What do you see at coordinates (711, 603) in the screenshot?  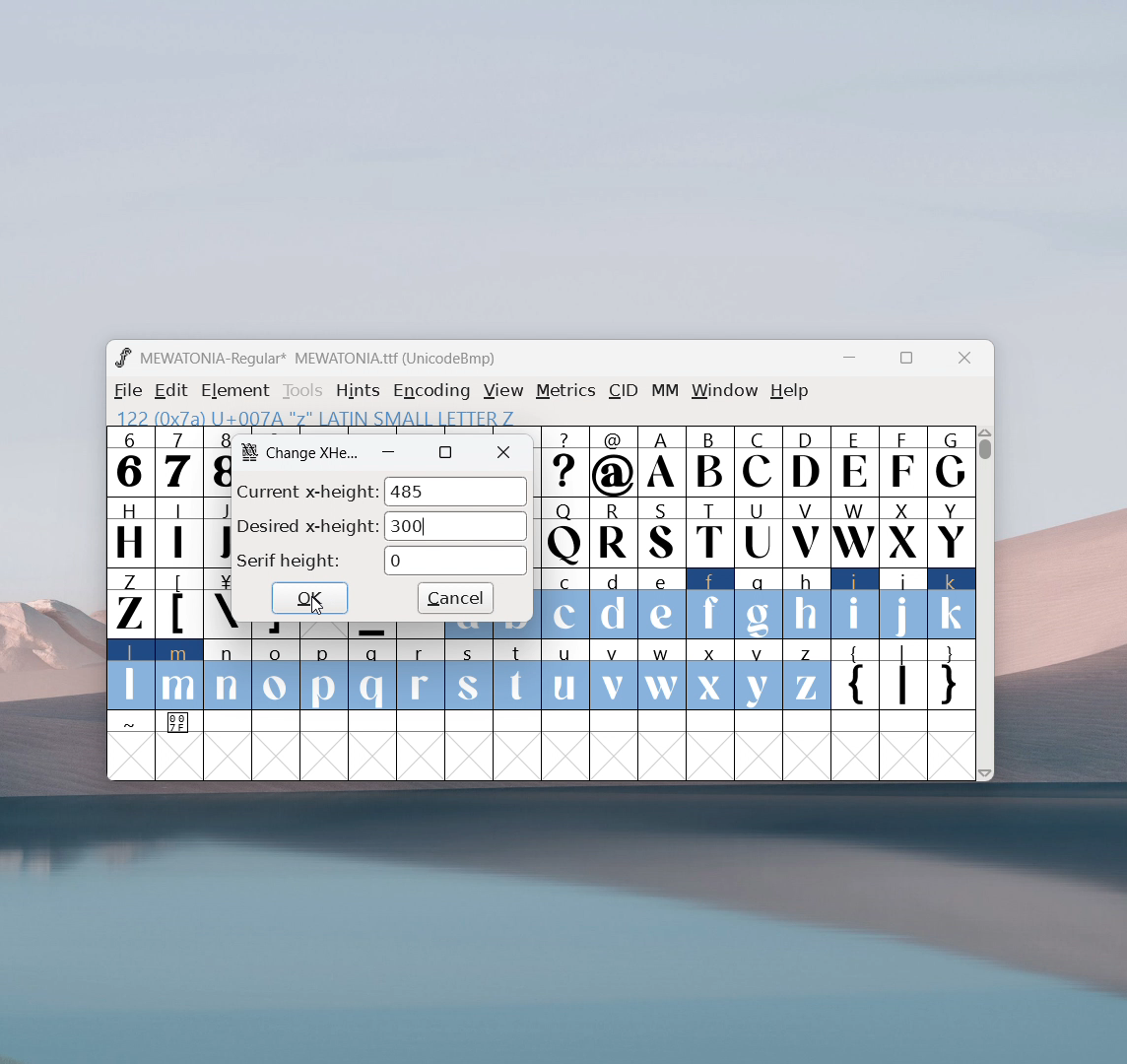 I see `f` at bounding box center [711, 603].